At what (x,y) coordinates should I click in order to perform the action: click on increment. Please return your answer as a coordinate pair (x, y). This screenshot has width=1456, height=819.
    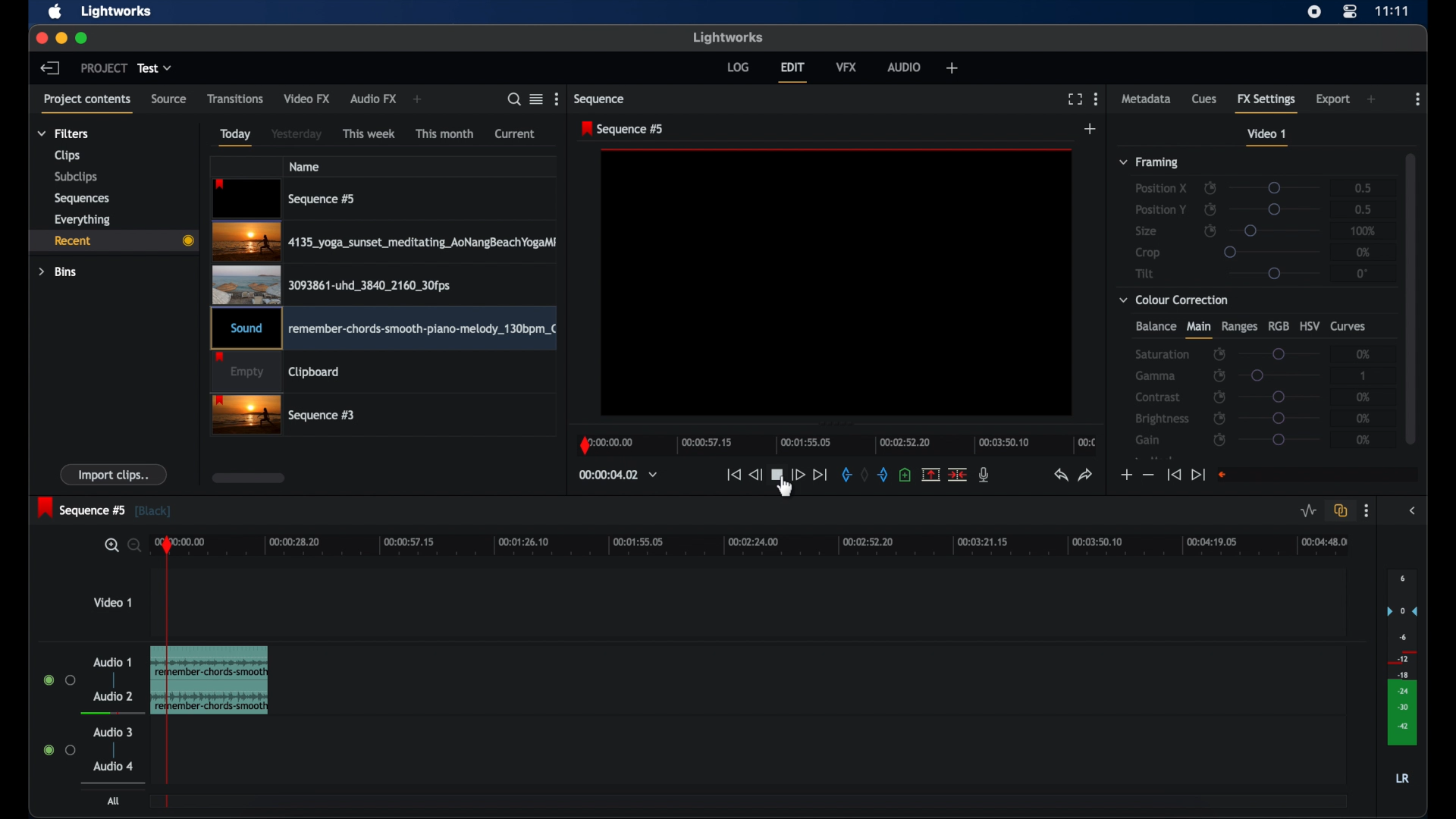
    Looking at the image, I should click on (1125, 475).